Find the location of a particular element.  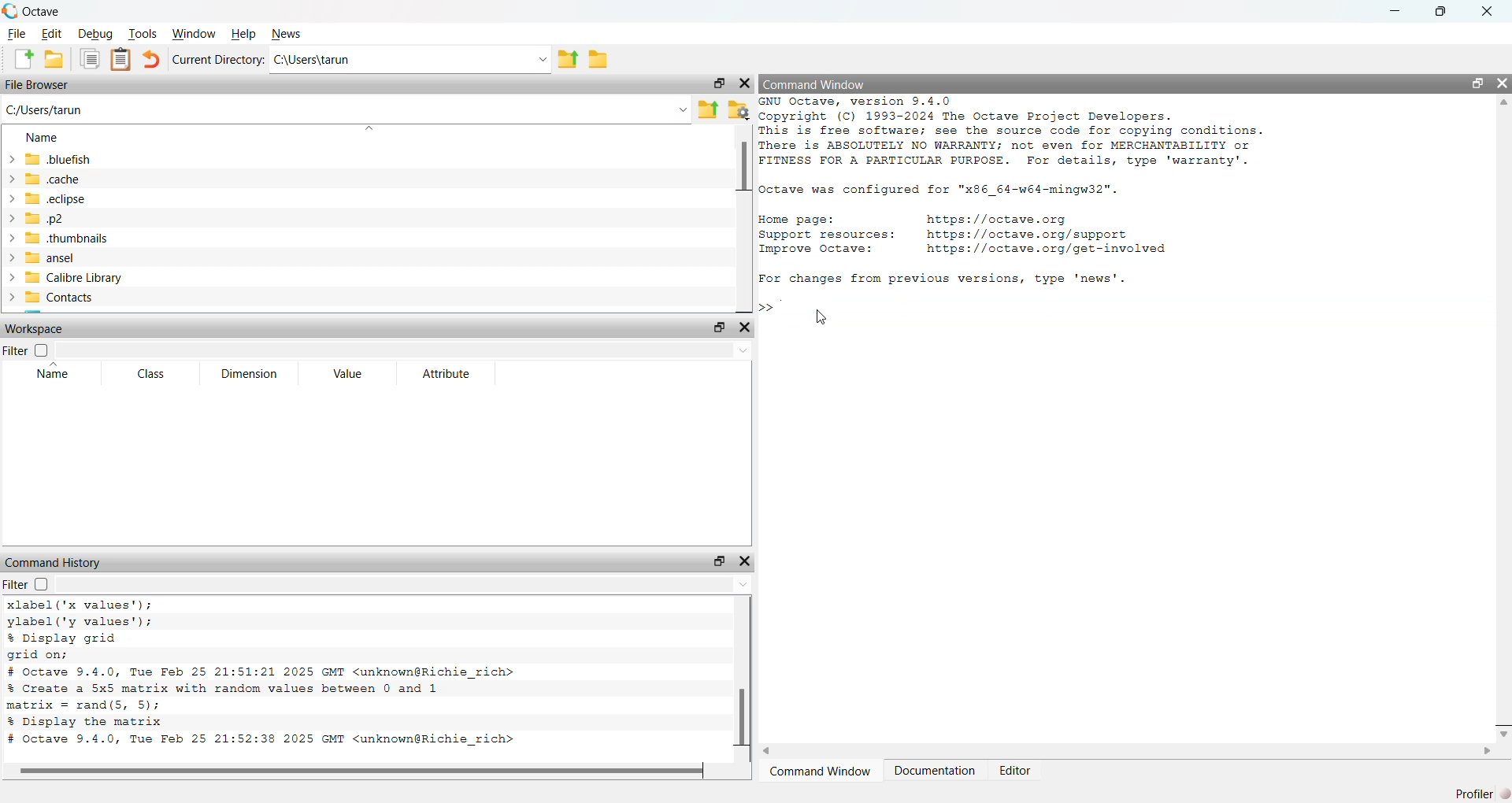

Documentation is located at coordinates (933, 773).